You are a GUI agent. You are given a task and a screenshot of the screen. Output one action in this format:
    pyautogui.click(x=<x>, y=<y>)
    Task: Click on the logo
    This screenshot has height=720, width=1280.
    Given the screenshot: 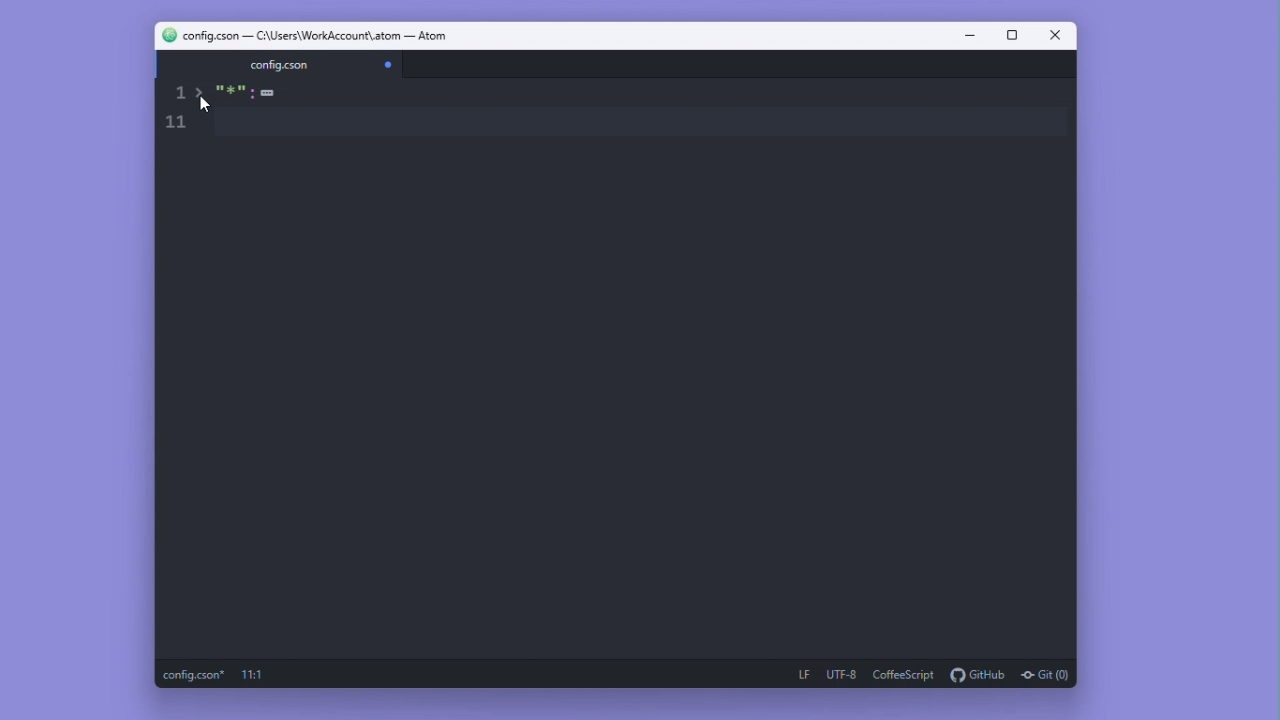 What is the action you would take?
    pyautogui.click(x=163, y=35)
    